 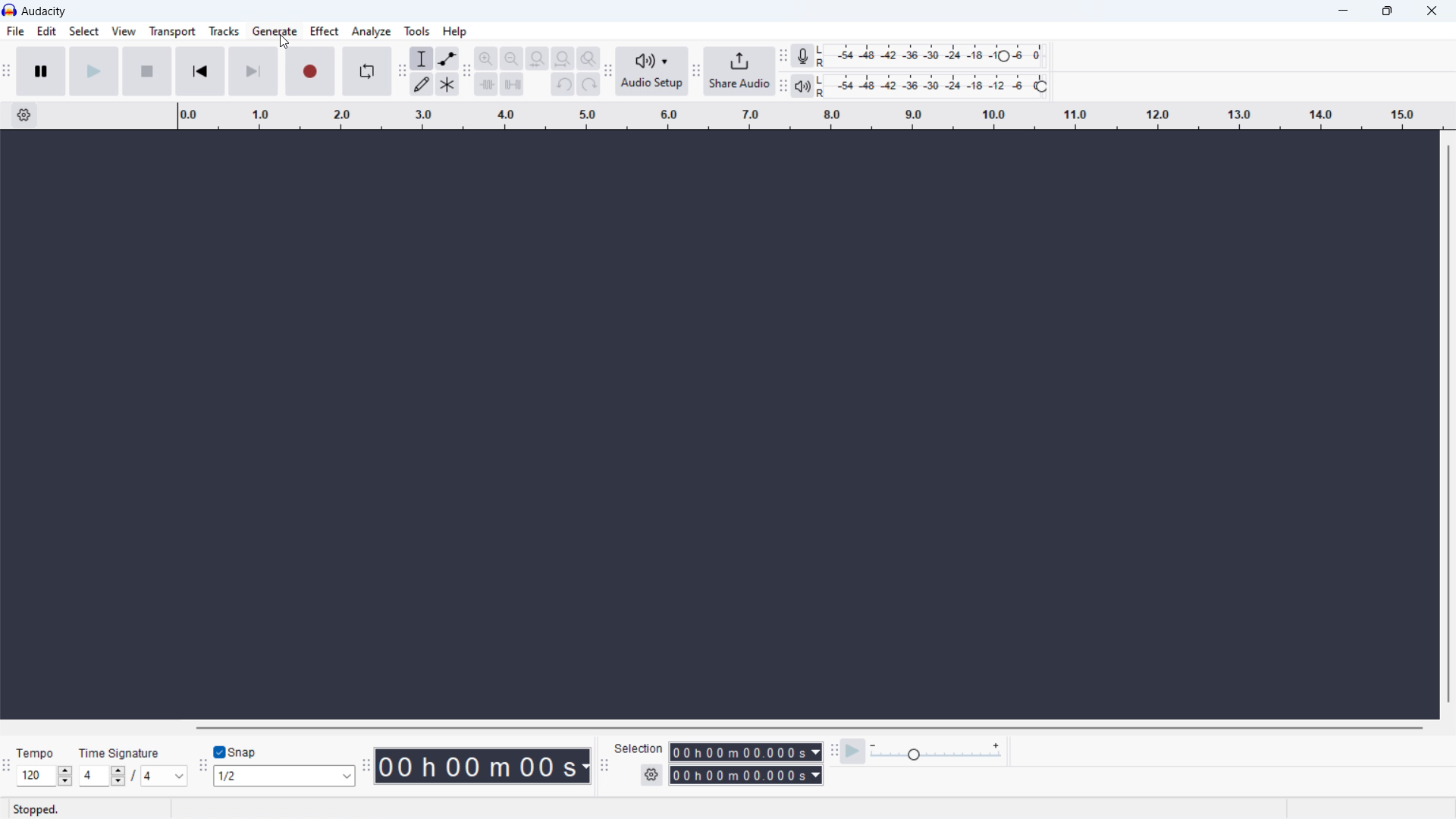 What do you see at coordinates (46, 31) in the screenshot?
I see `edit` at bounding box center [46, 31].